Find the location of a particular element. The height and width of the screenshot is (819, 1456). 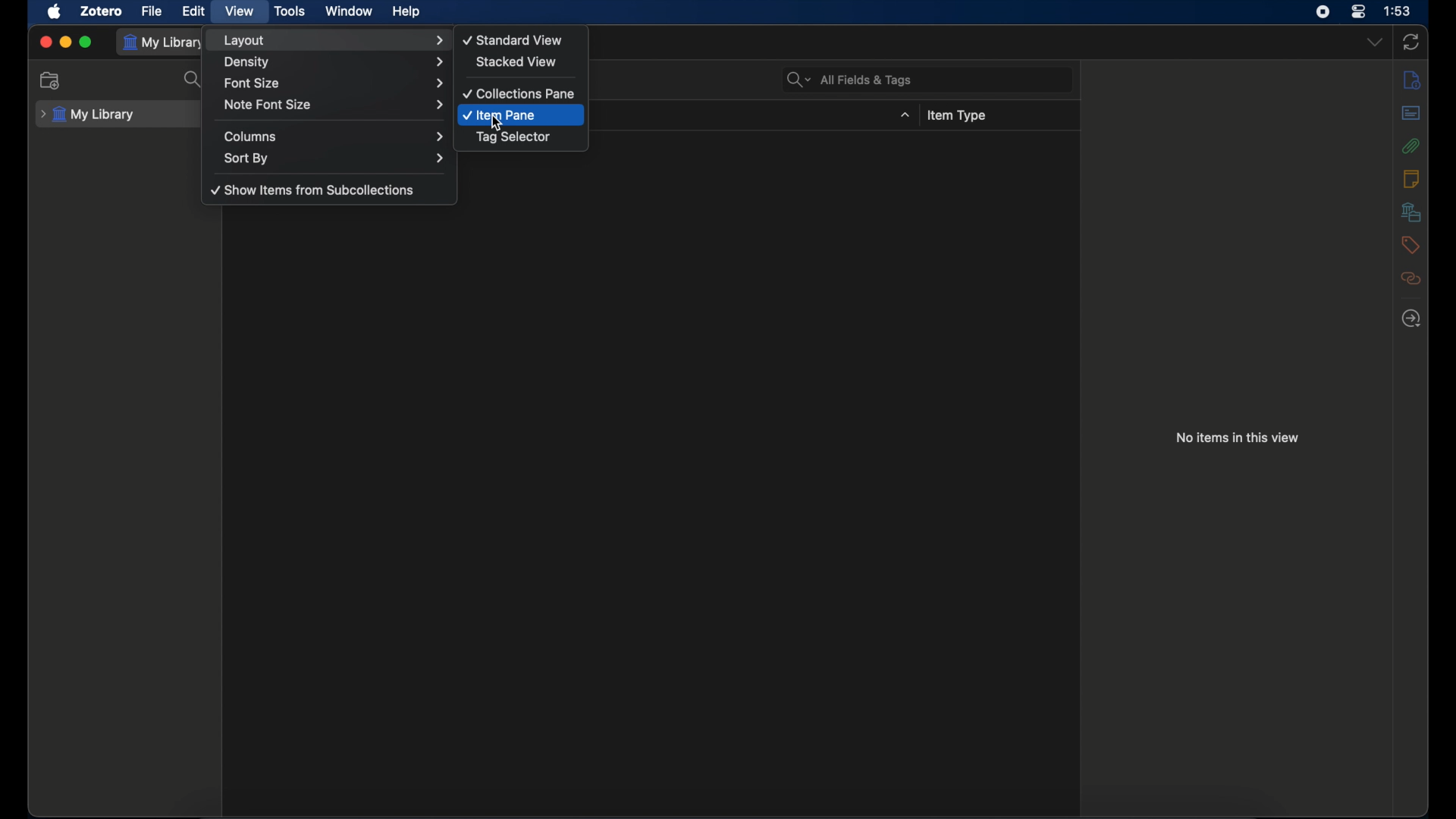

search is located at coordinates (194, 80).